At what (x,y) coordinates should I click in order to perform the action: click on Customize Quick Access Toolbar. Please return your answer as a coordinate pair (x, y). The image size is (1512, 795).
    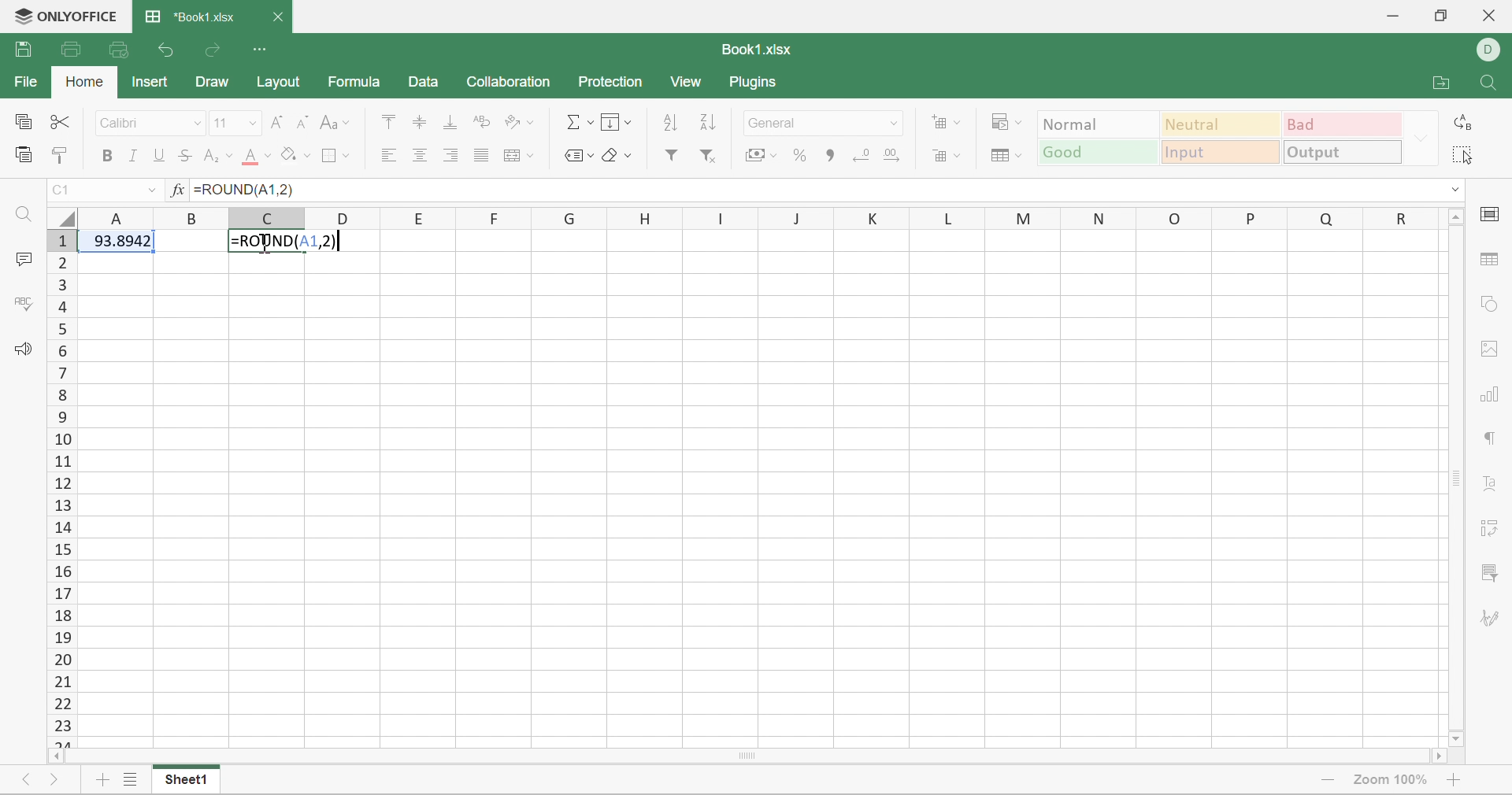
    Looking at the image, I should click on (262, 48).